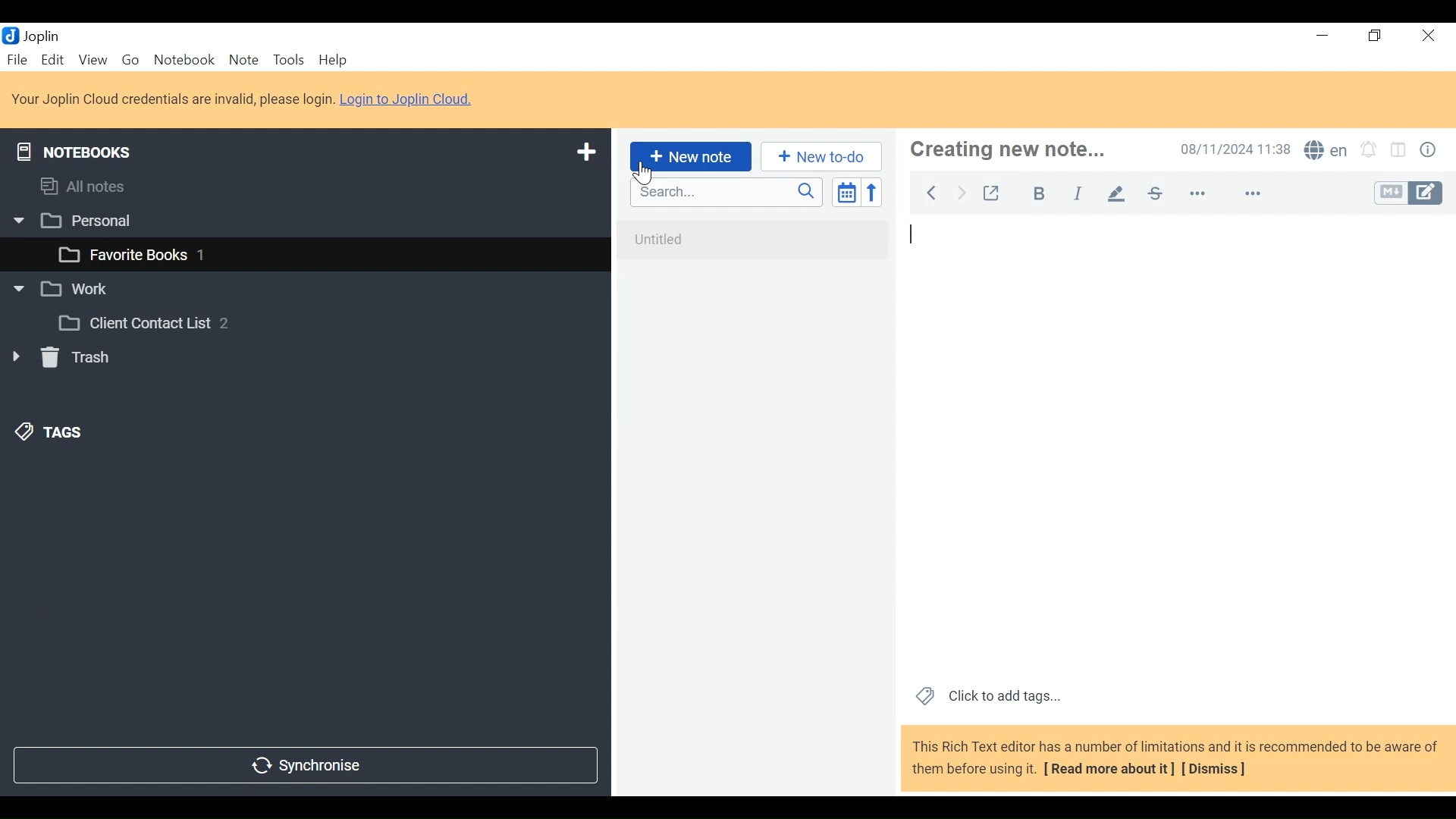 This screenshot has width=1456, height=819. What do you see at coordinates (246, 99) in the screenshot?
I see `Your Joplin Cloud credentials are invalid, please login. Login to Joplin Cloud.` at bounding box center [246, 99].